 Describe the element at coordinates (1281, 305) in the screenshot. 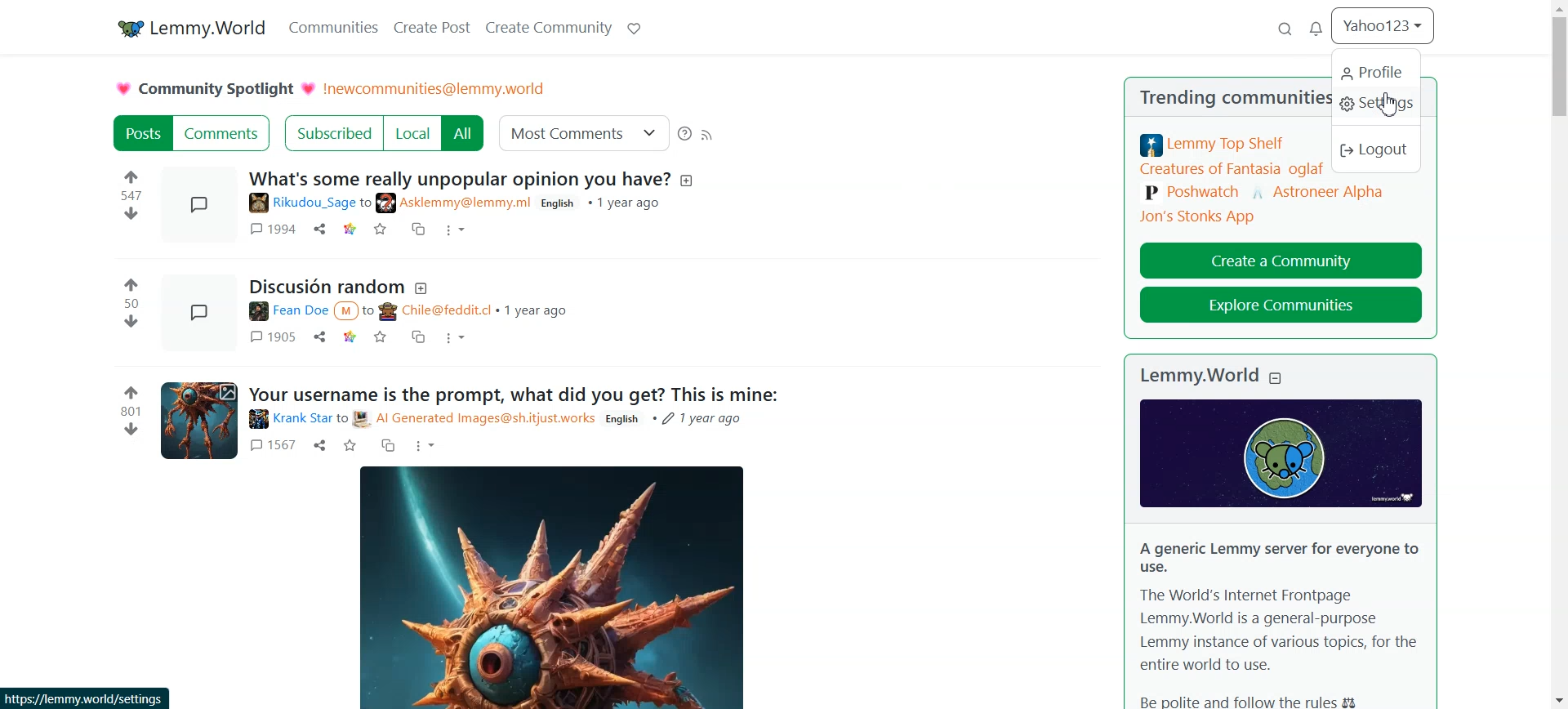

I see `Explore Communities` at that location.